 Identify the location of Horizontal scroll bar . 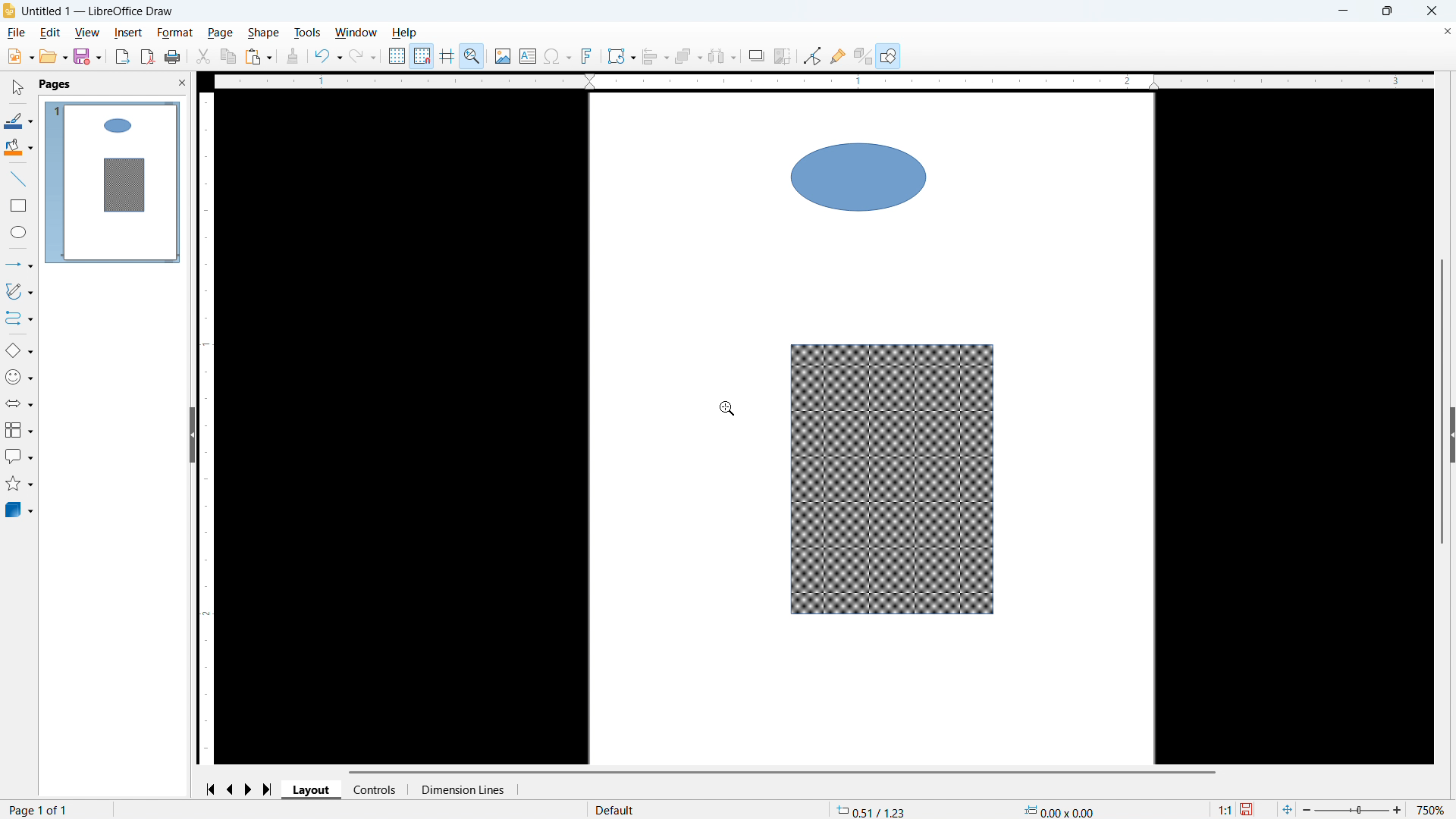
(782, 772).